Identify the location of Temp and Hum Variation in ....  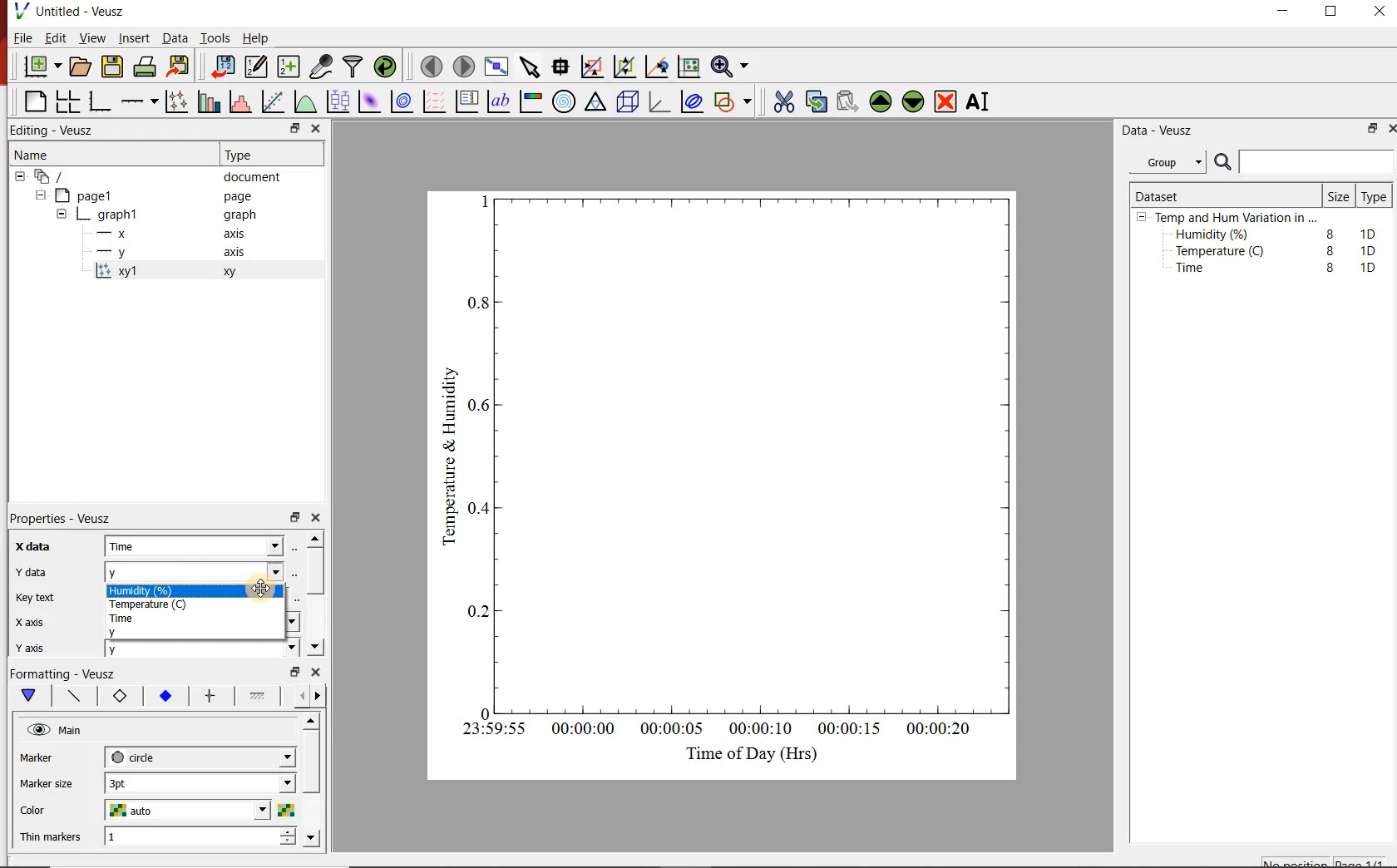
(1236, 218).